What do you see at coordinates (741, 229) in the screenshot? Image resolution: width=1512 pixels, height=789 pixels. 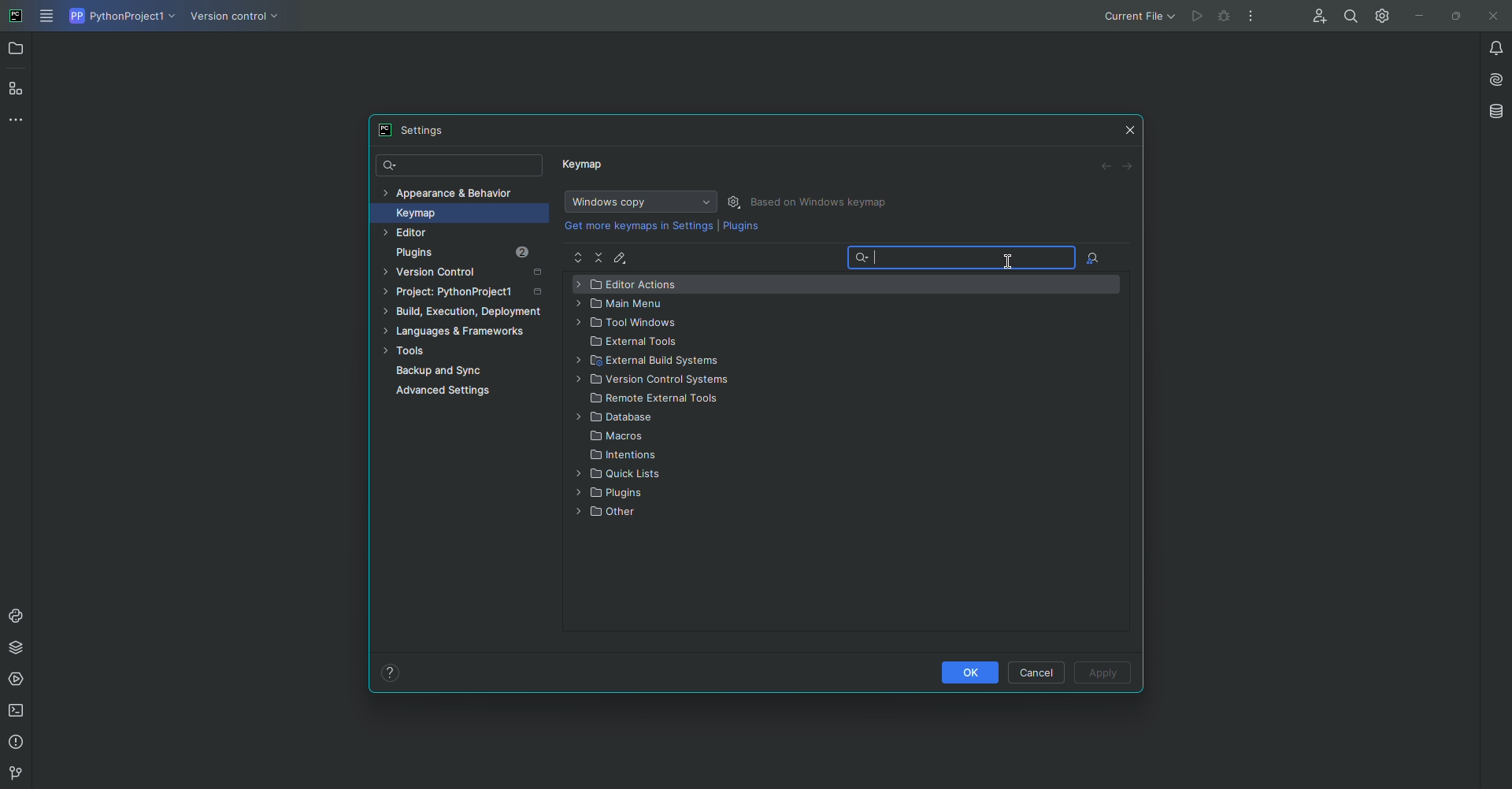 I see `Plugins` at bounding box center [741, 229].